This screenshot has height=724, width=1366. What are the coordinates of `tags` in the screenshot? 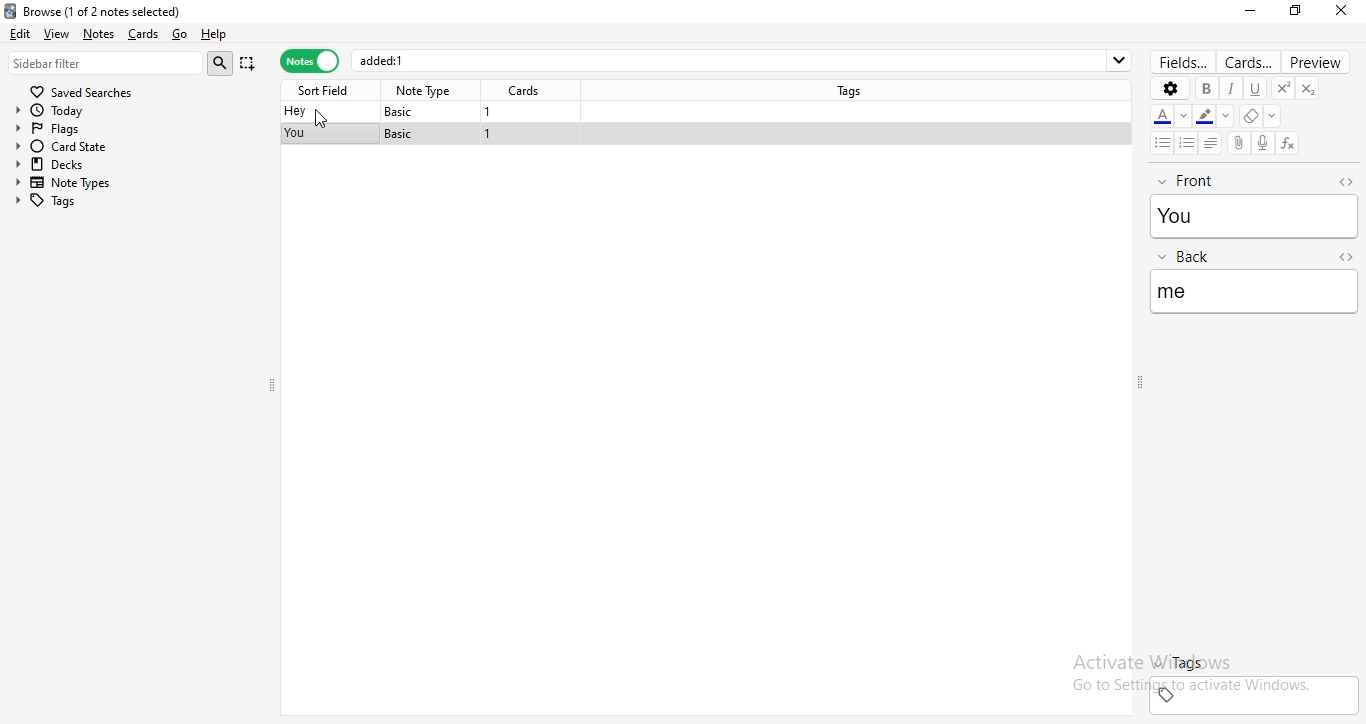 It's located at (1196, 657).